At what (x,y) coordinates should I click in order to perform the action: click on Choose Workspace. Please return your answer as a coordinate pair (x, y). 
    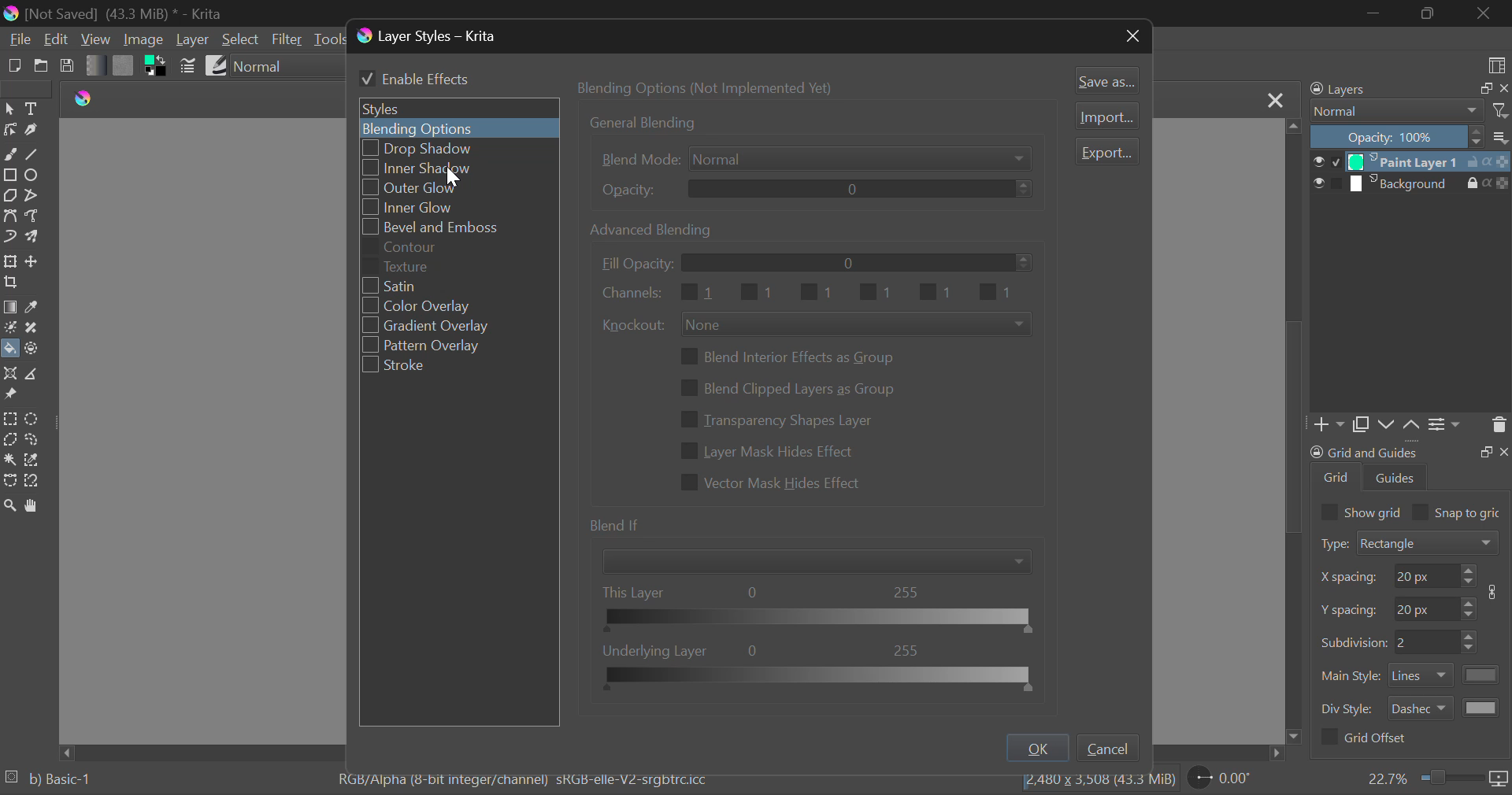
    Looking at the image, I should click on (1495, 65).